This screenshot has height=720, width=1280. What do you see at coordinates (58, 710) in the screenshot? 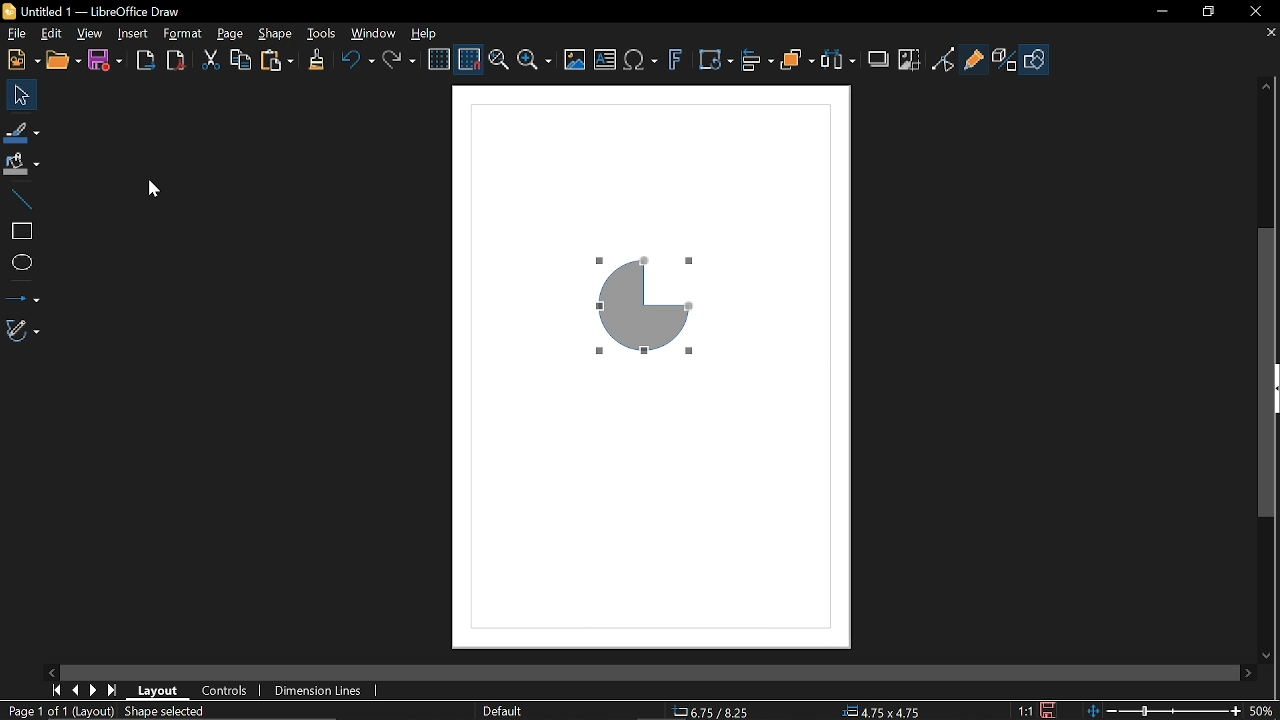
I see `Page 1 of 1 (Layout)` at bounding box center [58, 710].